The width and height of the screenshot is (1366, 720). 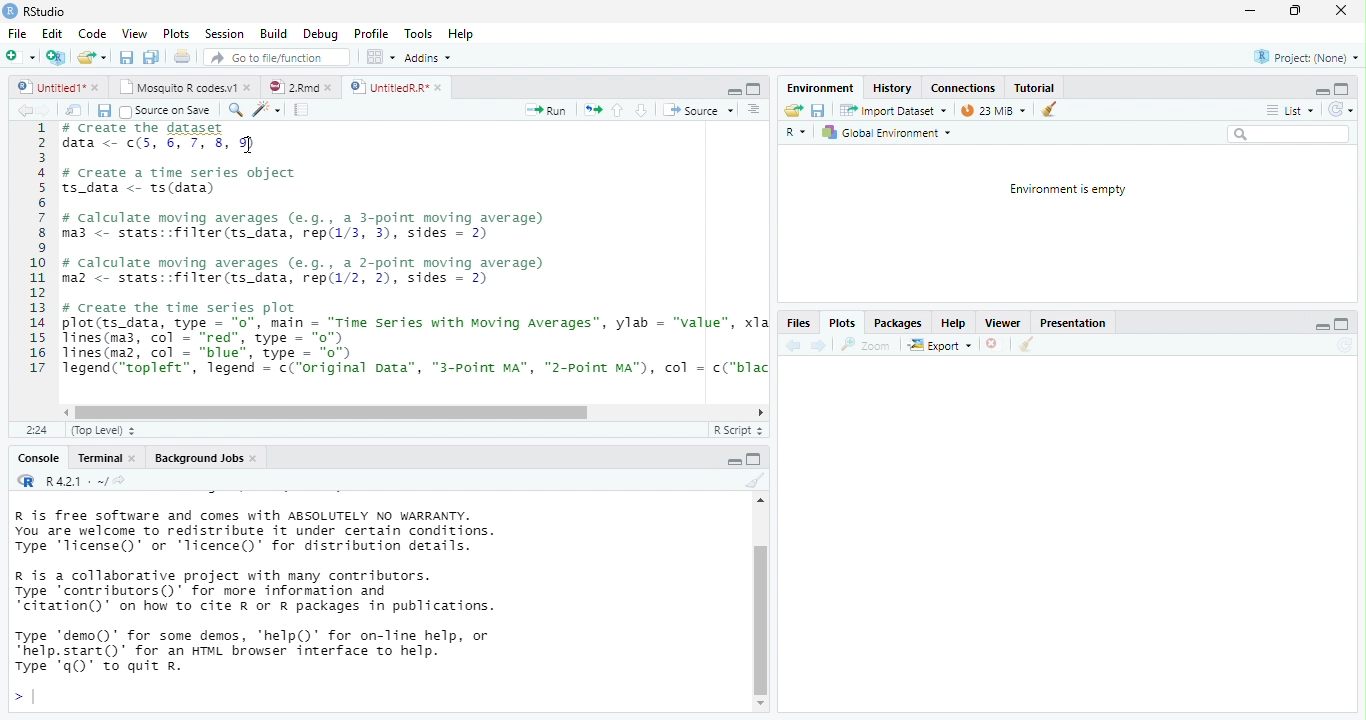 What do you see at coordinates (197, 458) in the screenshot?
I see `Background Jobs` at bounding box center [197, 458].